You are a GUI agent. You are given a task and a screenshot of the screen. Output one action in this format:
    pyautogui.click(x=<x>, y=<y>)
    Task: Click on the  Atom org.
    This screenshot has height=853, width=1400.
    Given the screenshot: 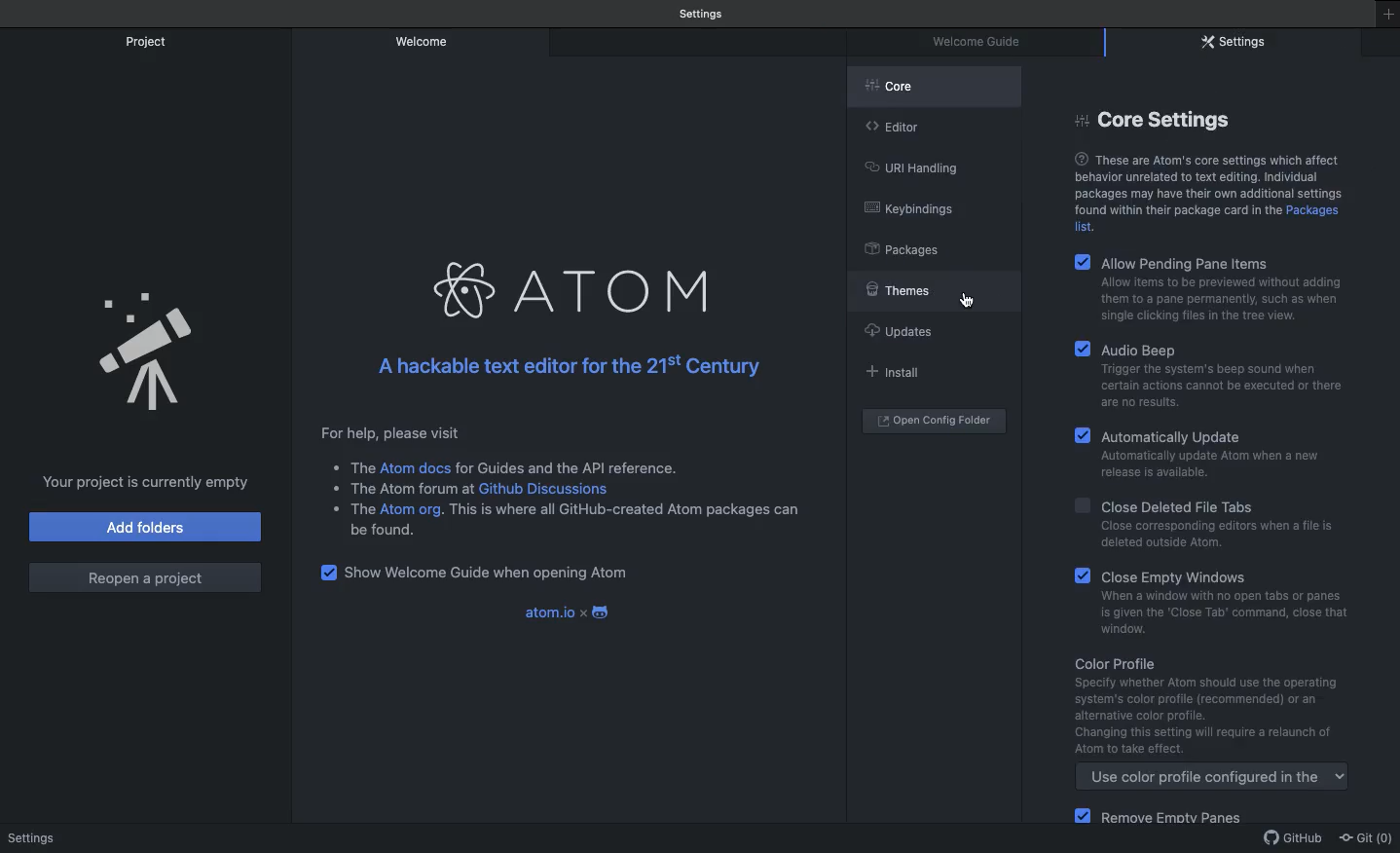 What is the action you would take?
    pyautogui.click(x=416, y=509)
    